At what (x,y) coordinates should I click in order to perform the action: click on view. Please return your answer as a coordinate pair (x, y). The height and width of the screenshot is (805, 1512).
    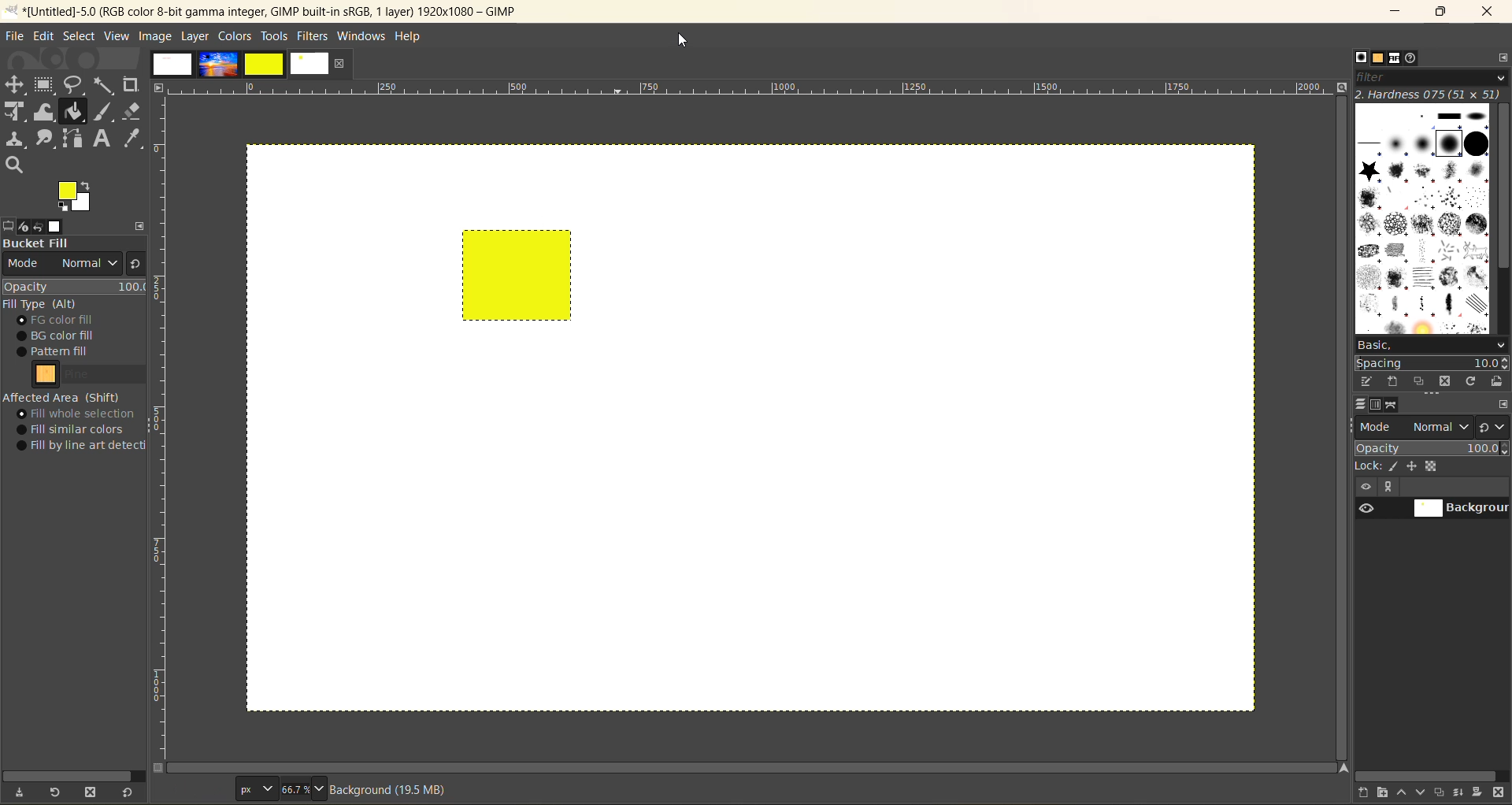
    Looking at the image, I should click on (115, 36).